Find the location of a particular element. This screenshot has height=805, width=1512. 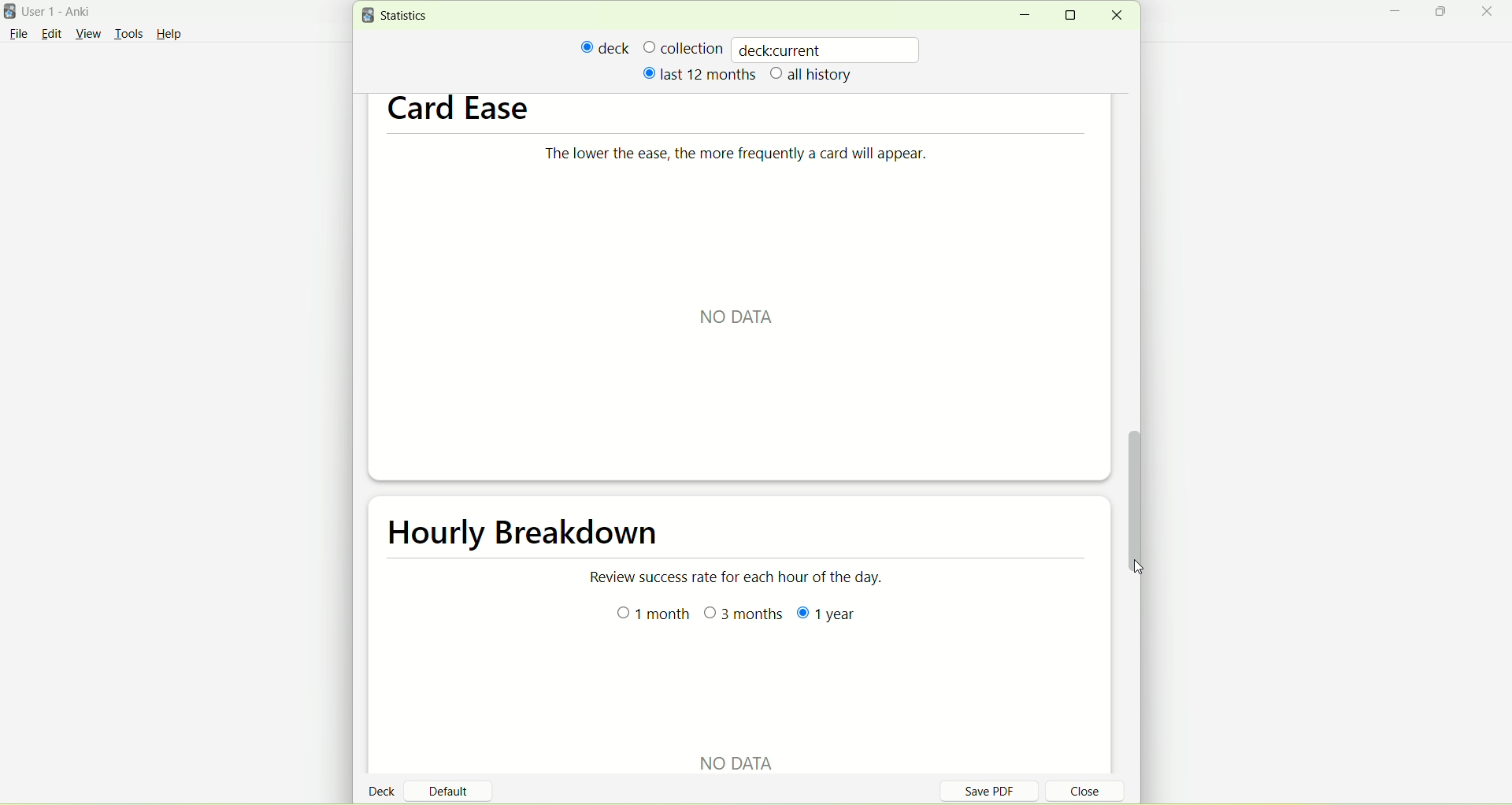

card ease is located at coordinates (459, 109).